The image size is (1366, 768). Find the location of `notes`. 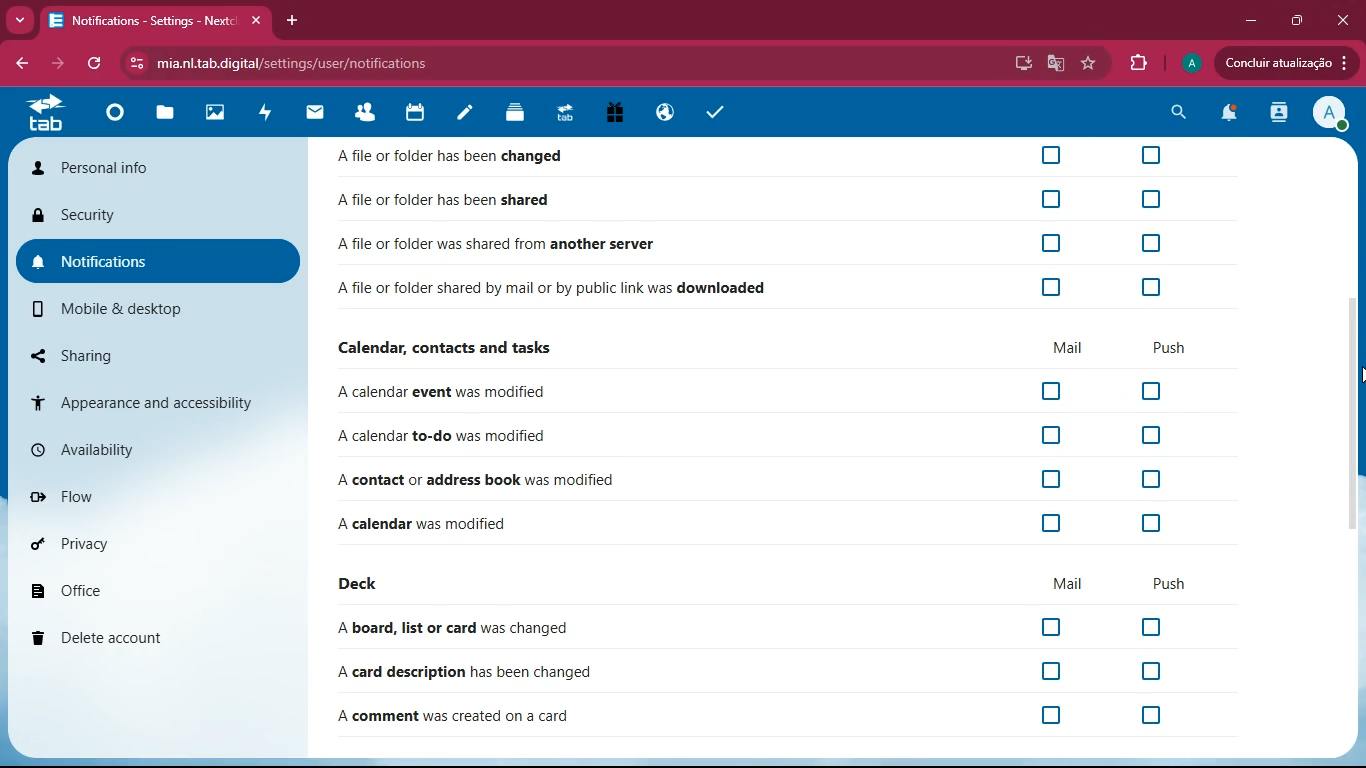

notes is located at coordinates (466, 115).